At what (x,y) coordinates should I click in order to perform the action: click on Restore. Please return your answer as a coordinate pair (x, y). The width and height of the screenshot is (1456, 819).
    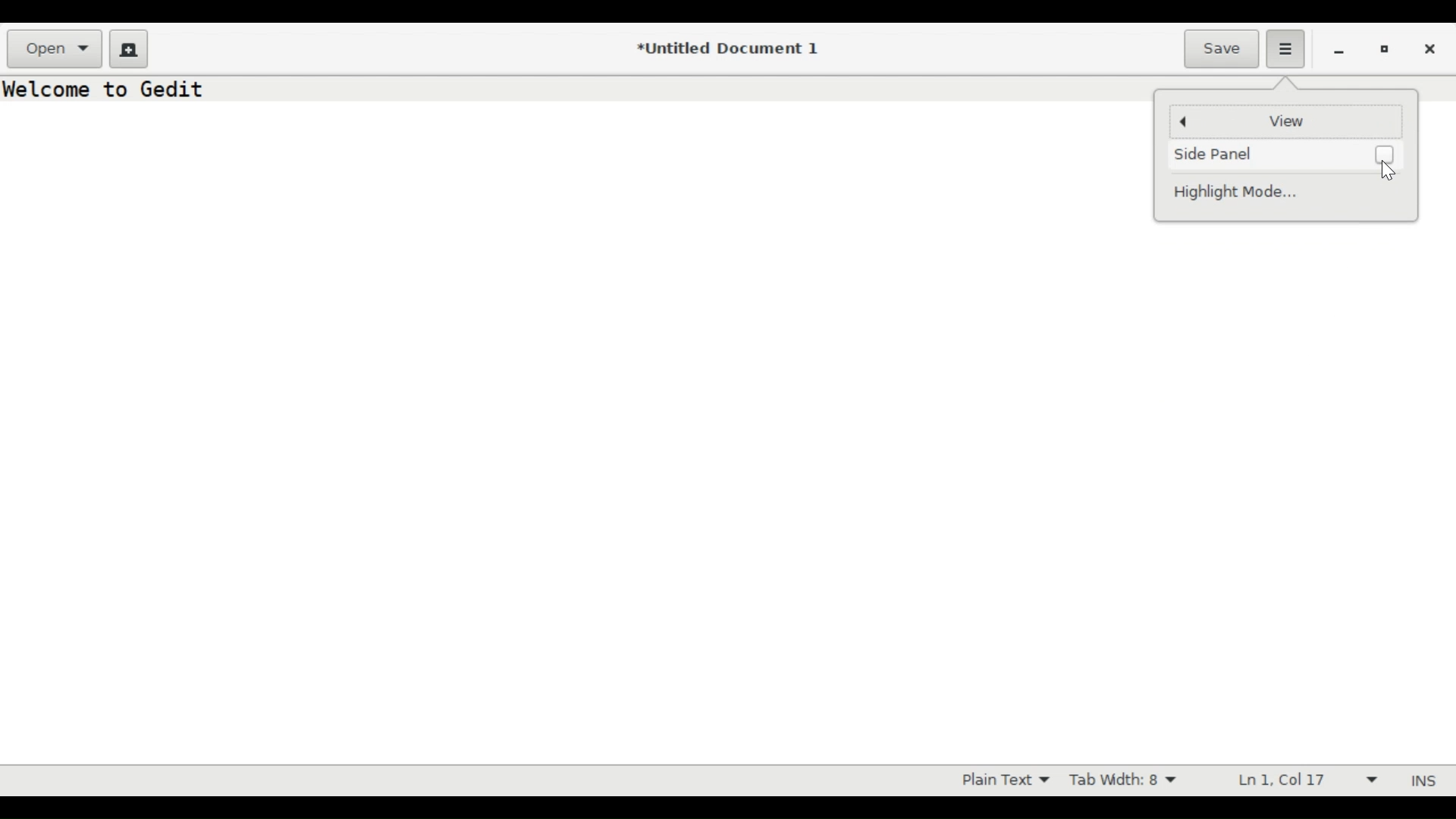
    Looking at the image, I should click on (1385, 48).